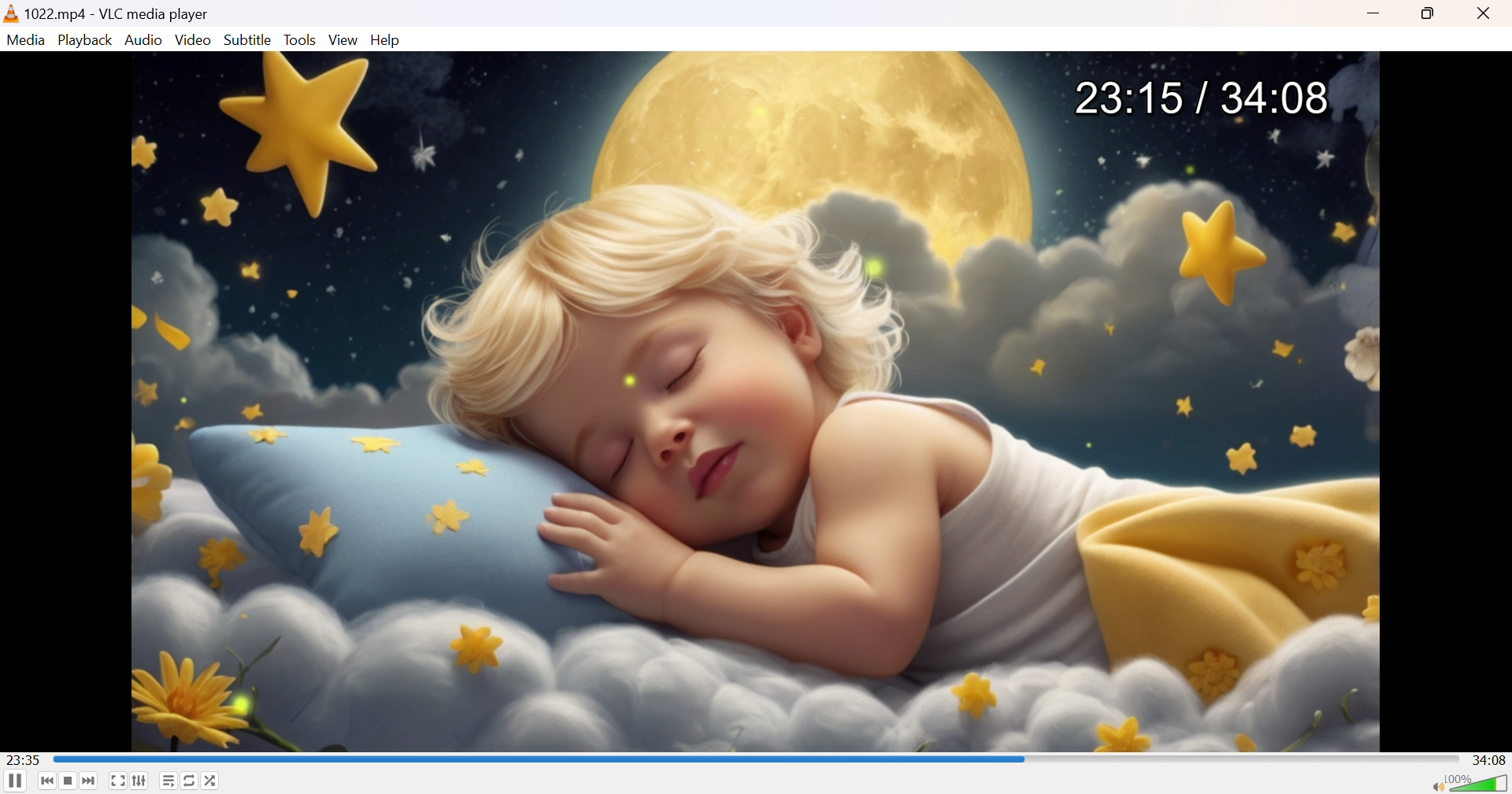 The width and height of the screenshot is (1512, 794). Describe the element at coordinates (145, 39) in the screenshot. I see `Audio` at that location.